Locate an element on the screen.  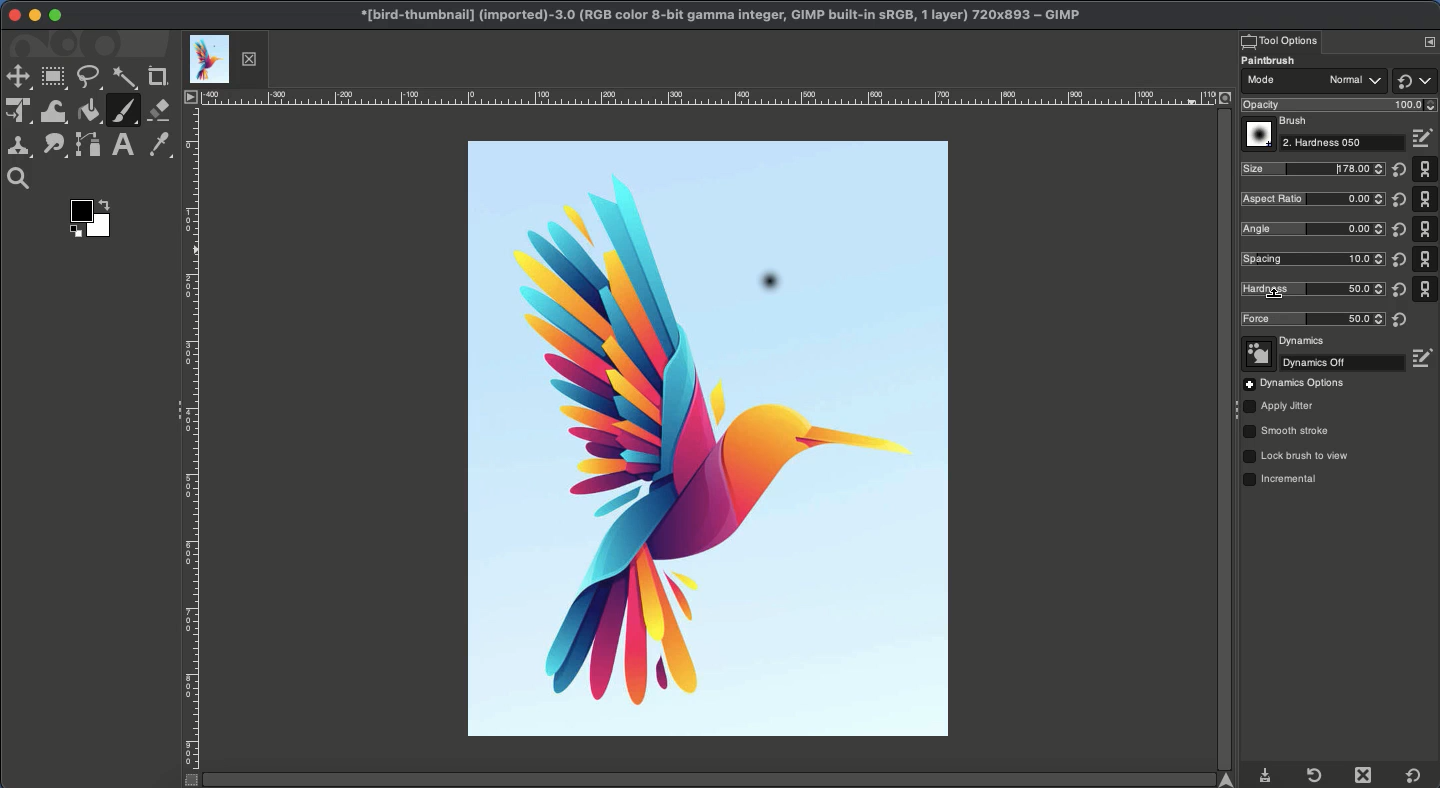
image is located at coordinates (600, 287).